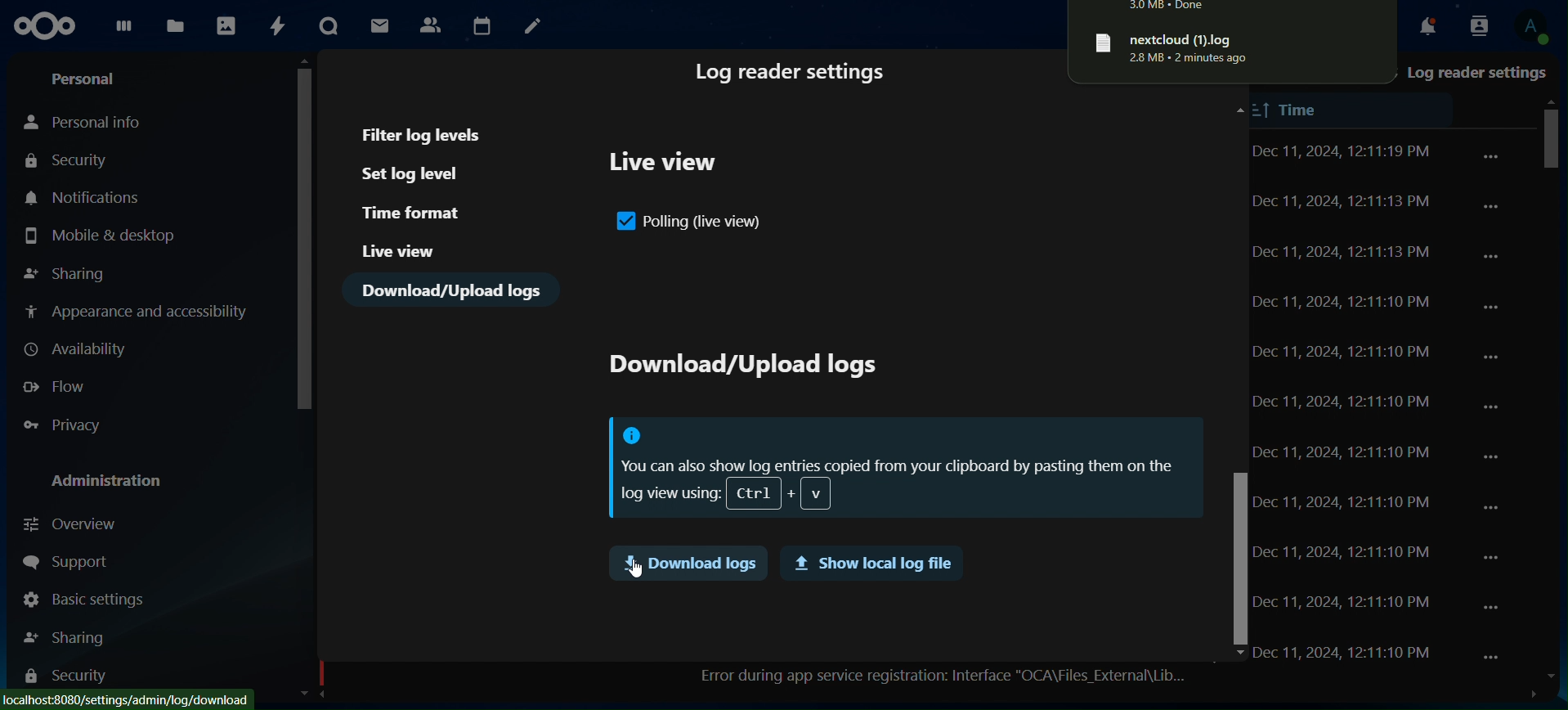  Describe the element at coordinates (100, 236) in the screenshot. I see `mobile & desktop` at that location.